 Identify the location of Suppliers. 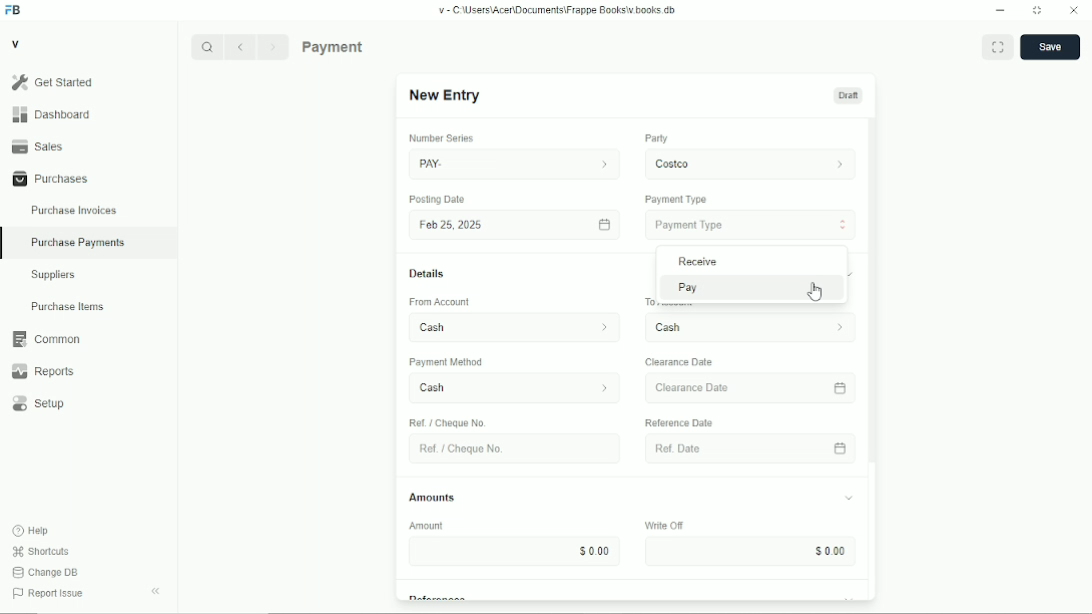
(89, 275).